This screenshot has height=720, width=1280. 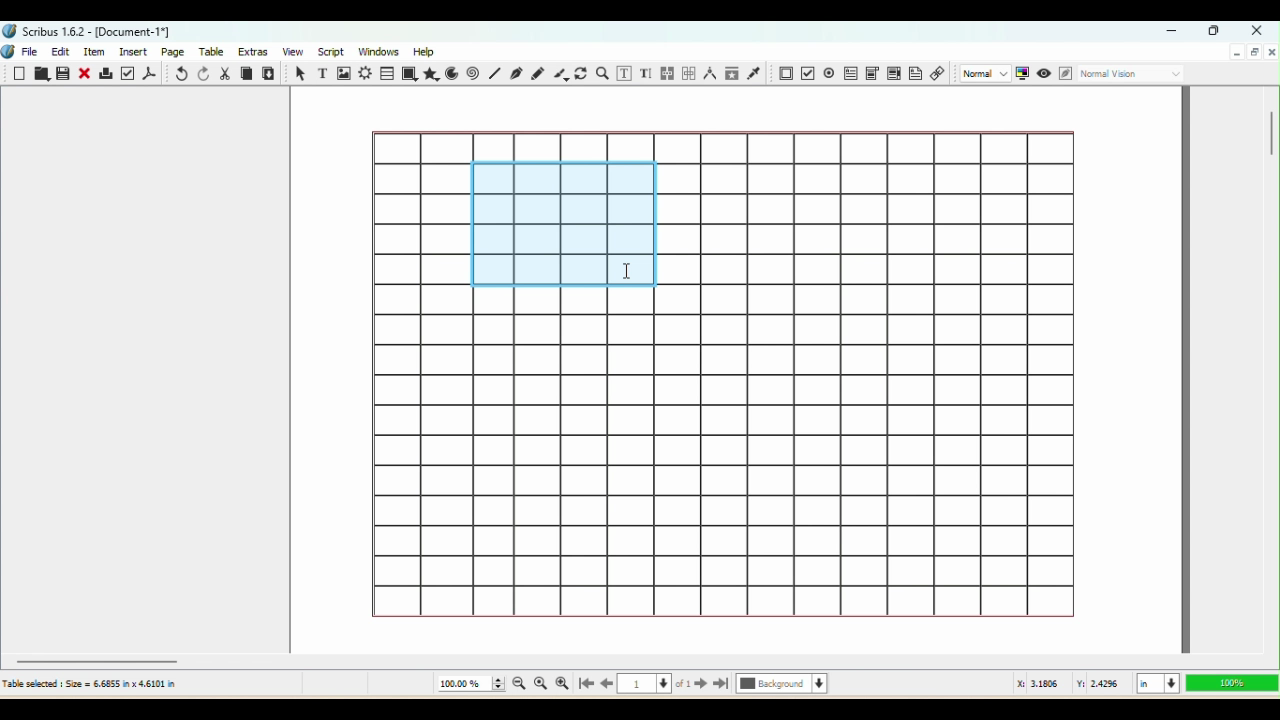 What do you see at coordinates (320, 72) in the screenshot?
I see `Text frame` at bounding box center [320, 72].